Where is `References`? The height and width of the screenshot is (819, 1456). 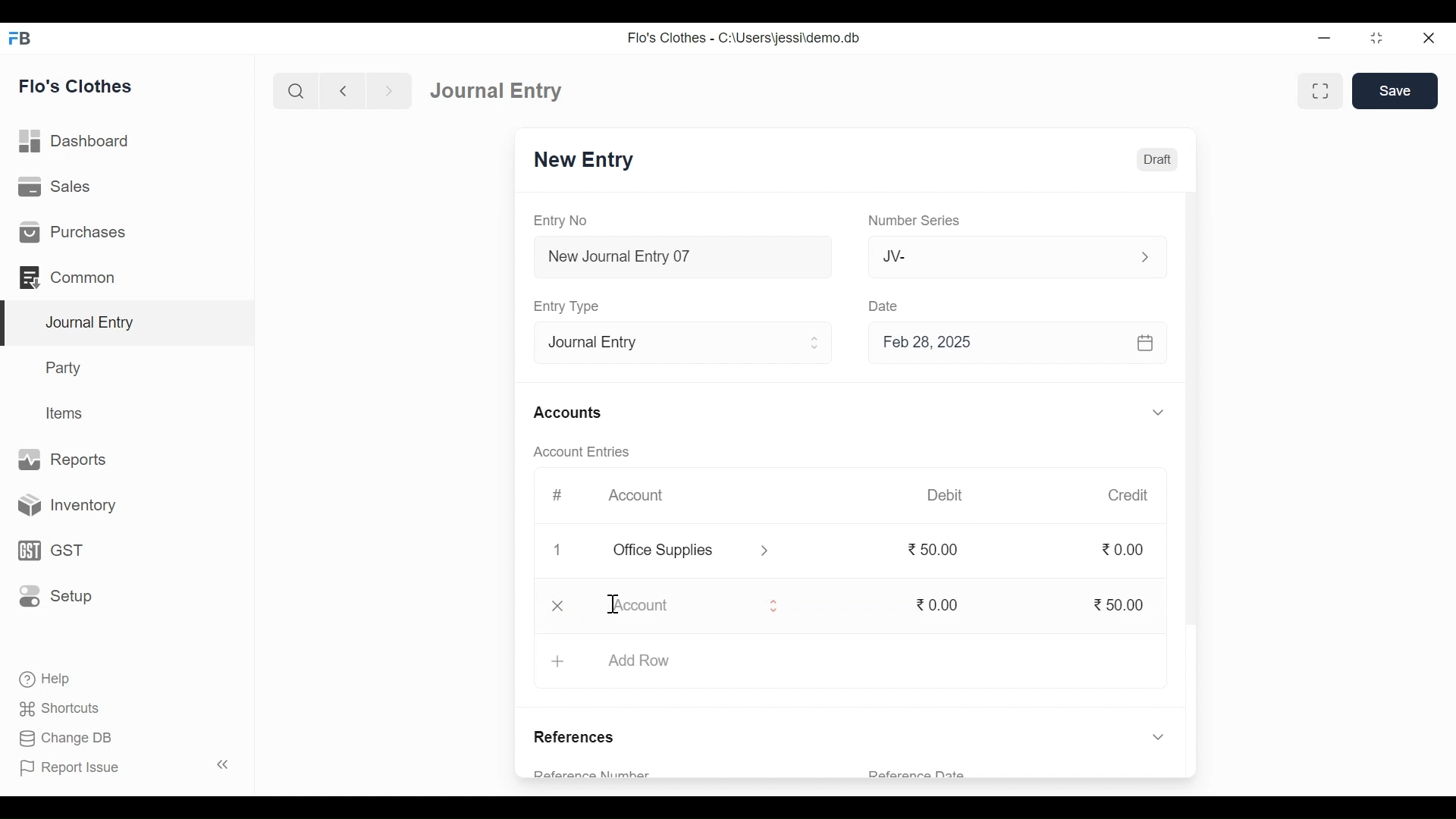 References is located at coordinates (580, 739).